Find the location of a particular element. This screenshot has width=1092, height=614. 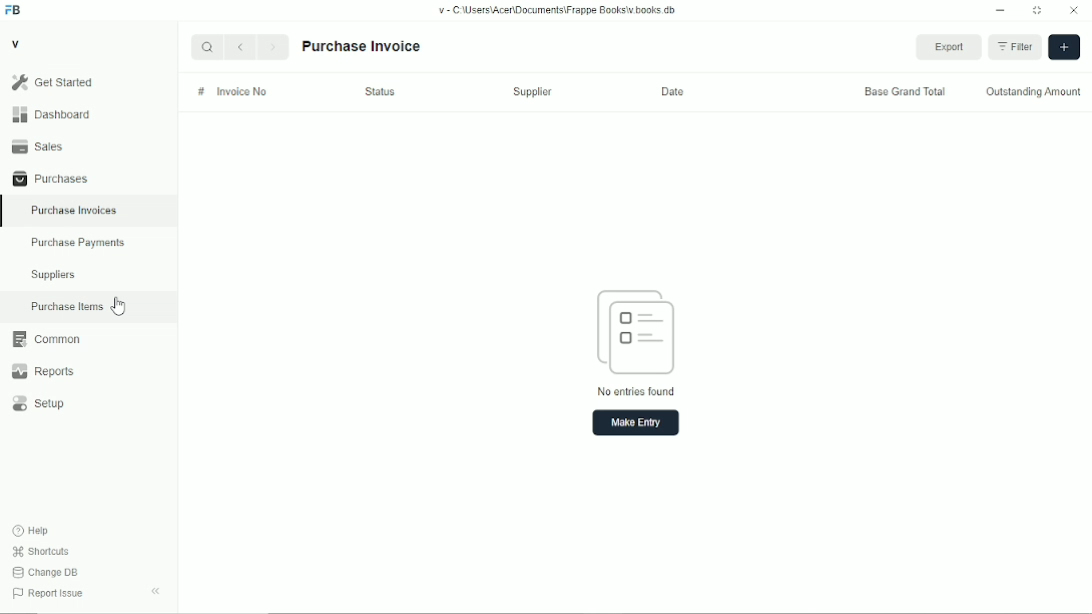

sales is located at coordinates (38, 146).